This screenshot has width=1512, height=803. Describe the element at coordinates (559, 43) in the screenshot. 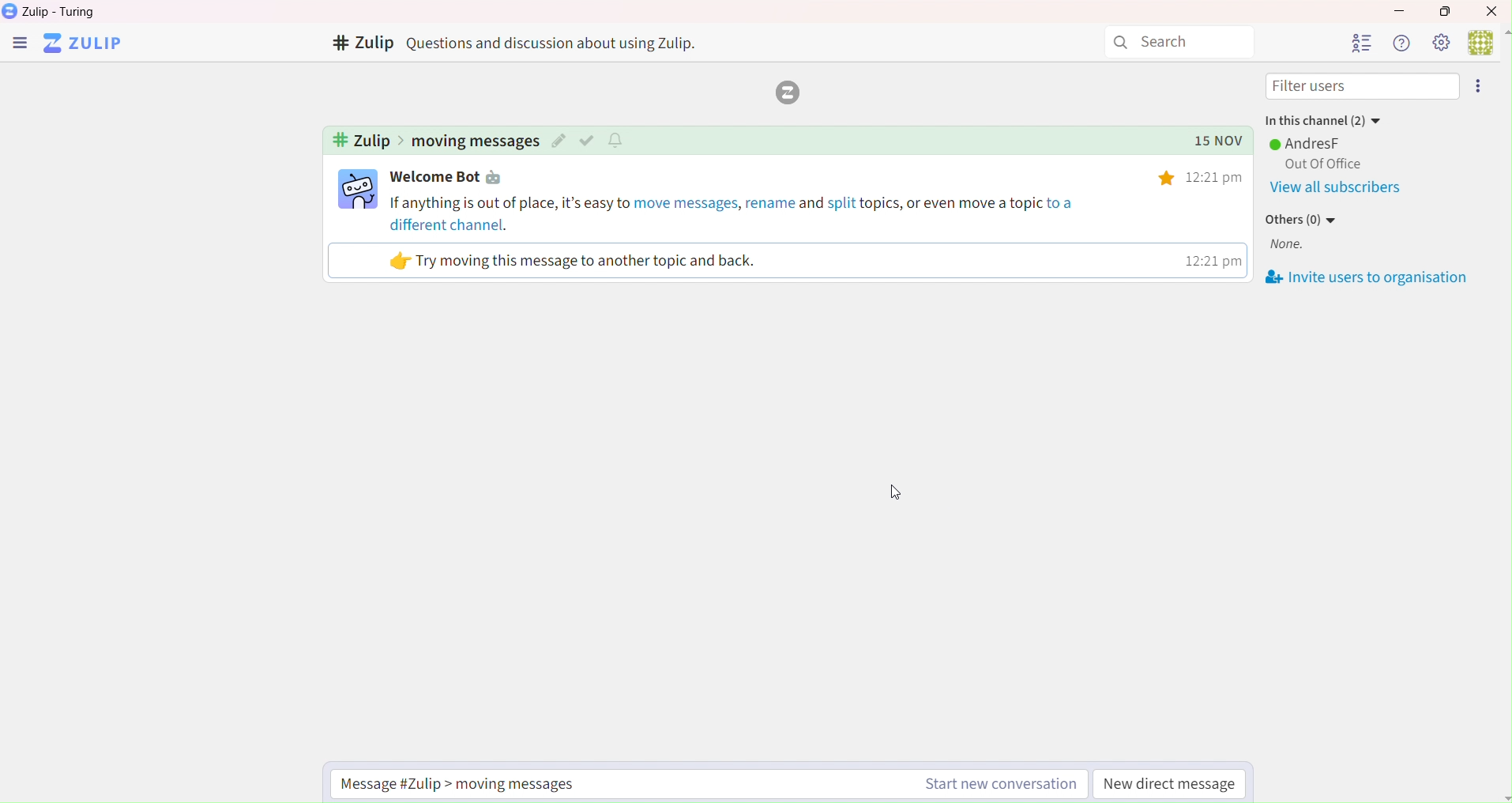

I see `Questions and discussion about using Zulip.` at that location.